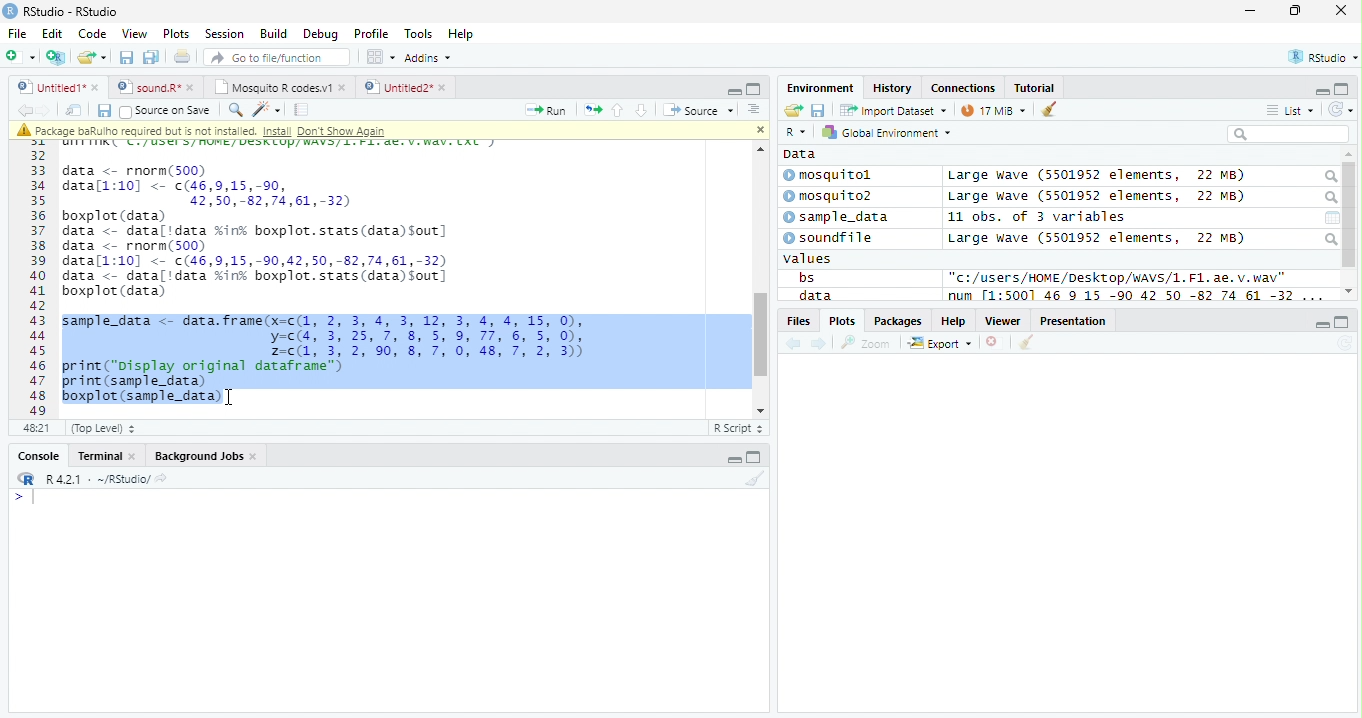 This screenshot has width=1362, height=718. Describe the element at coordinates (1138, 296) in the screenshot. I see `num (1:5001 46 9 15 -90 42 50 -82 74 61 -32 ...` at that location.